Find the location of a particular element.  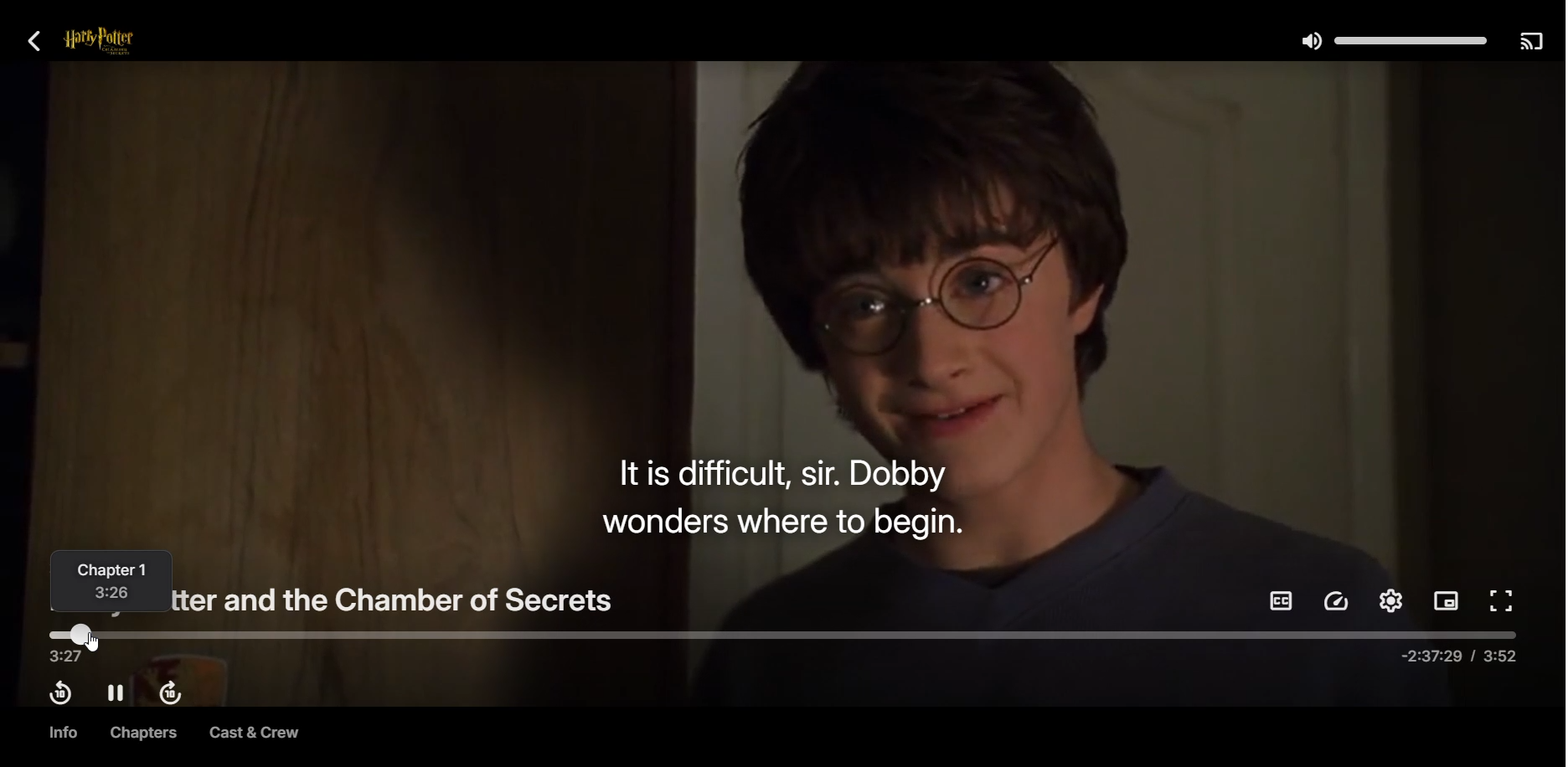

Set Volume is located at coordinates (1391, 39).